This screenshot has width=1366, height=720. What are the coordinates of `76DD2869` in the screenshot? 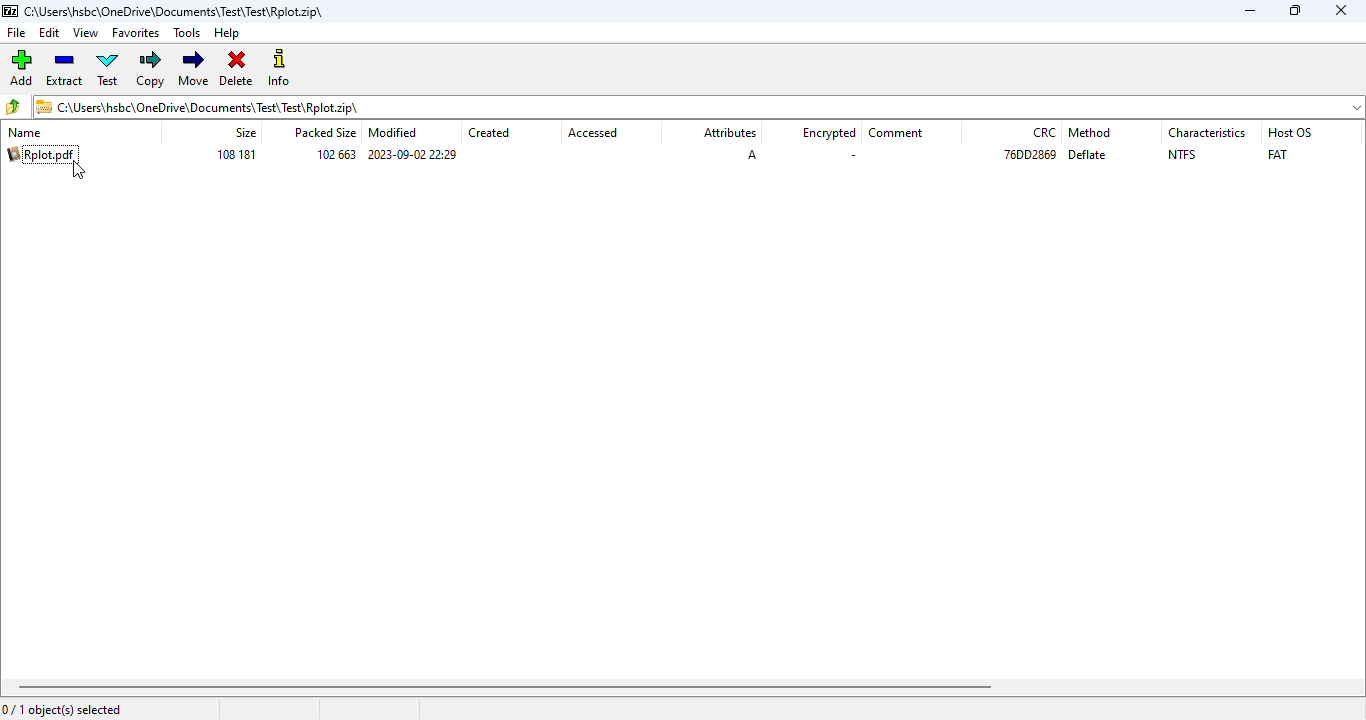 It's located at (1030, 155).